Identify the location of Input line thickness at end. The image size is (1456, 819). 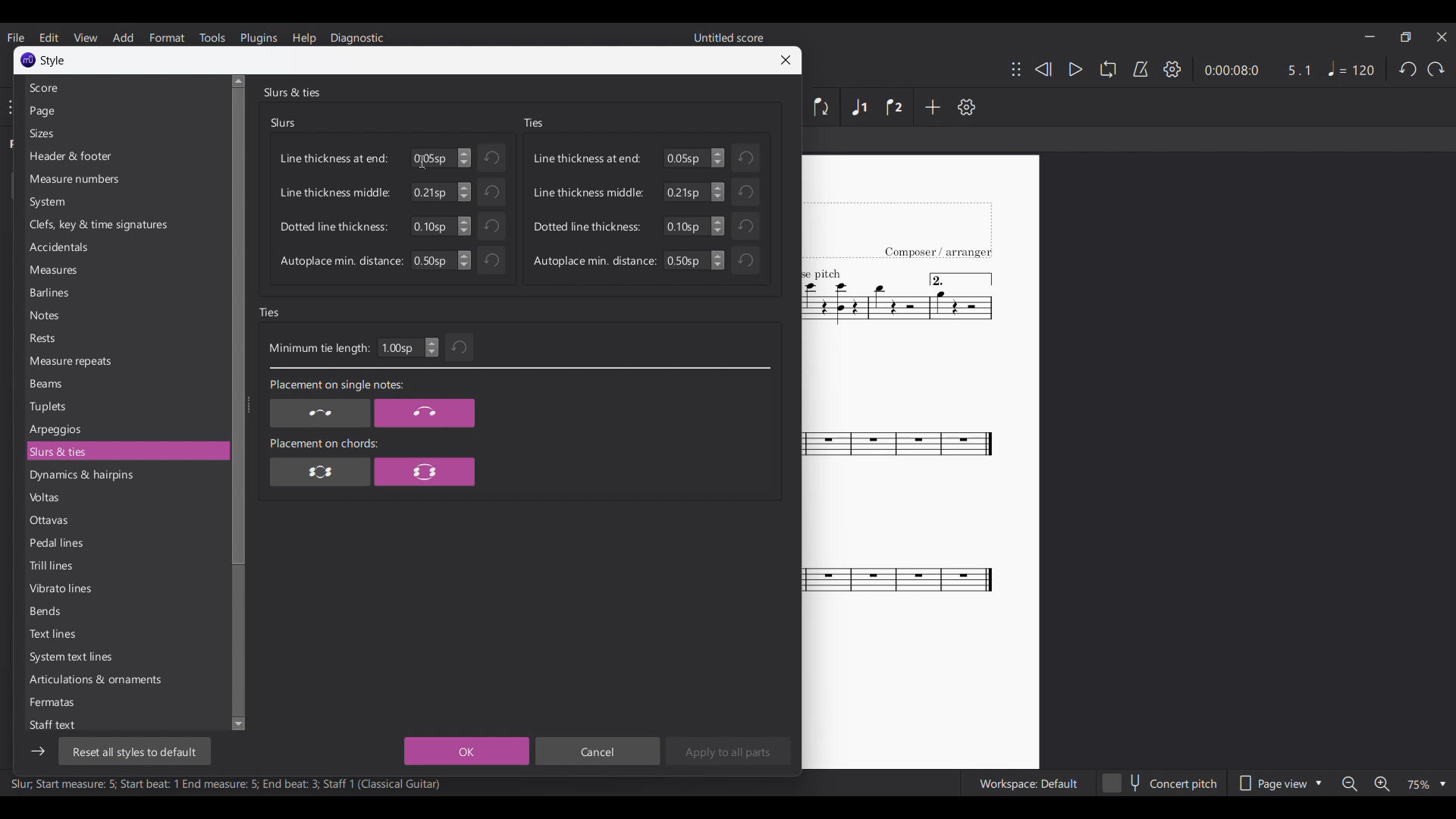
(432, 158).